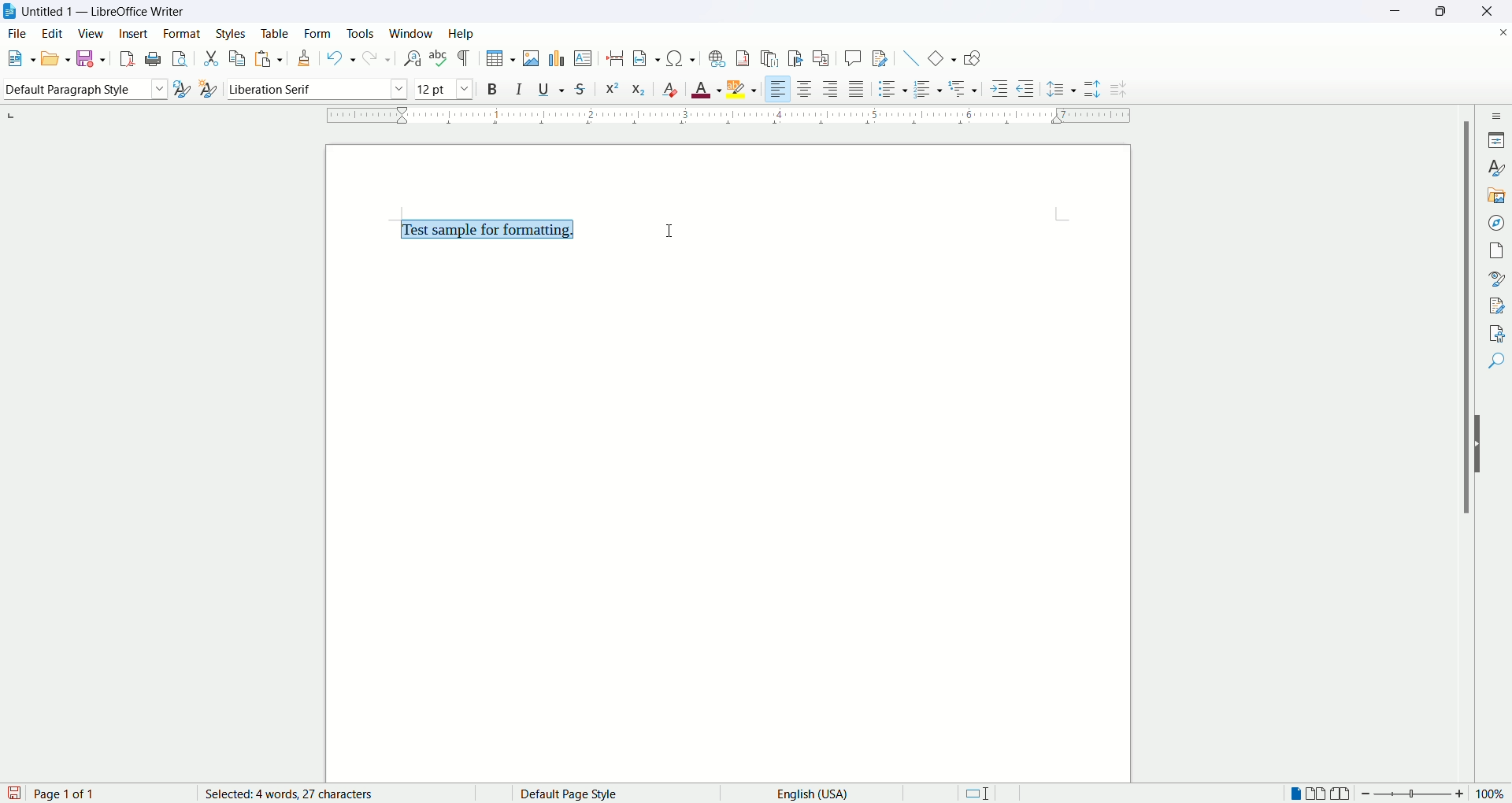 The image size is (1512, 803). I want to click on close, so click(1497, 31).